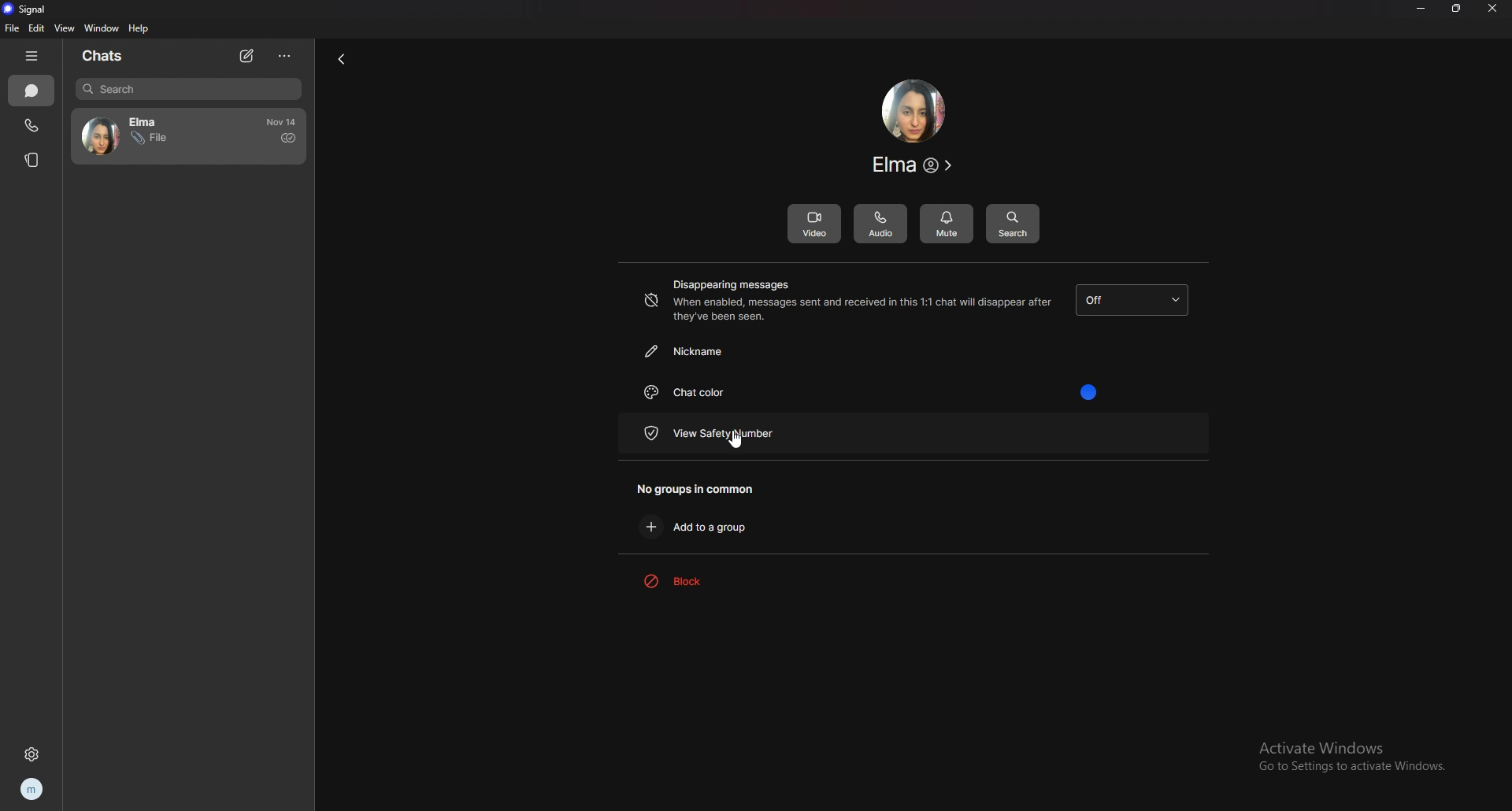 This screenshot has height=811, width=1512. What do you see at coordinates (705, 526) in the screenshot?
I see `add to a group` at bounding box center [705, 526].